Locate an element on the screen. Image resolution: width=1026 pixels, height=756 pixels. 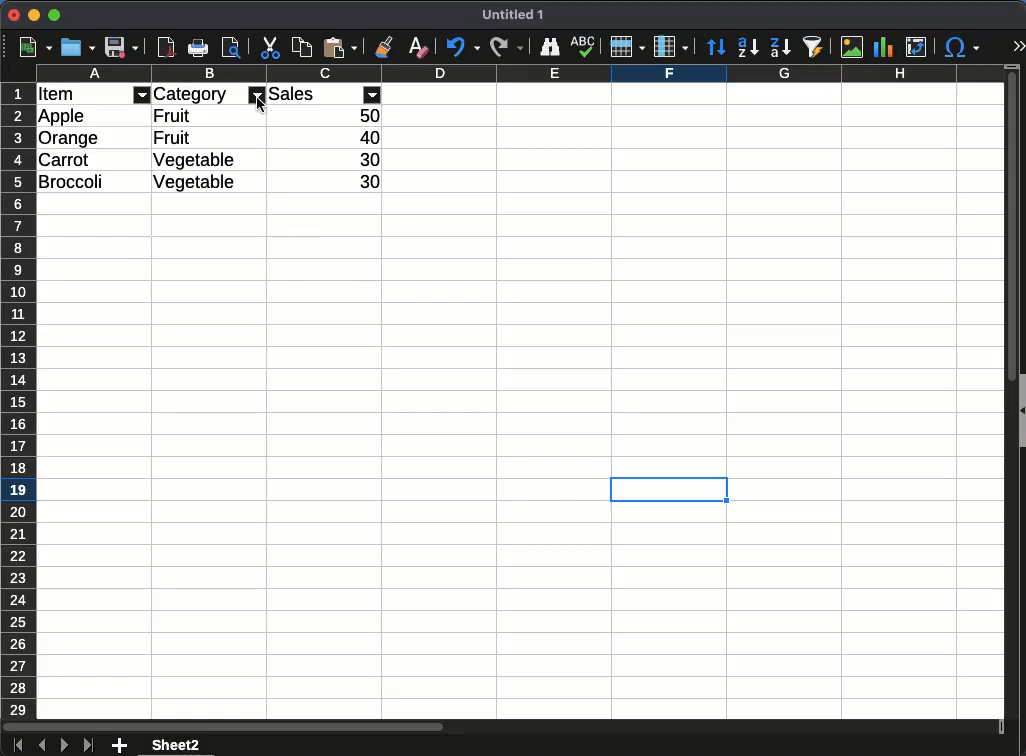
special character is located at coordinates (963, 49).